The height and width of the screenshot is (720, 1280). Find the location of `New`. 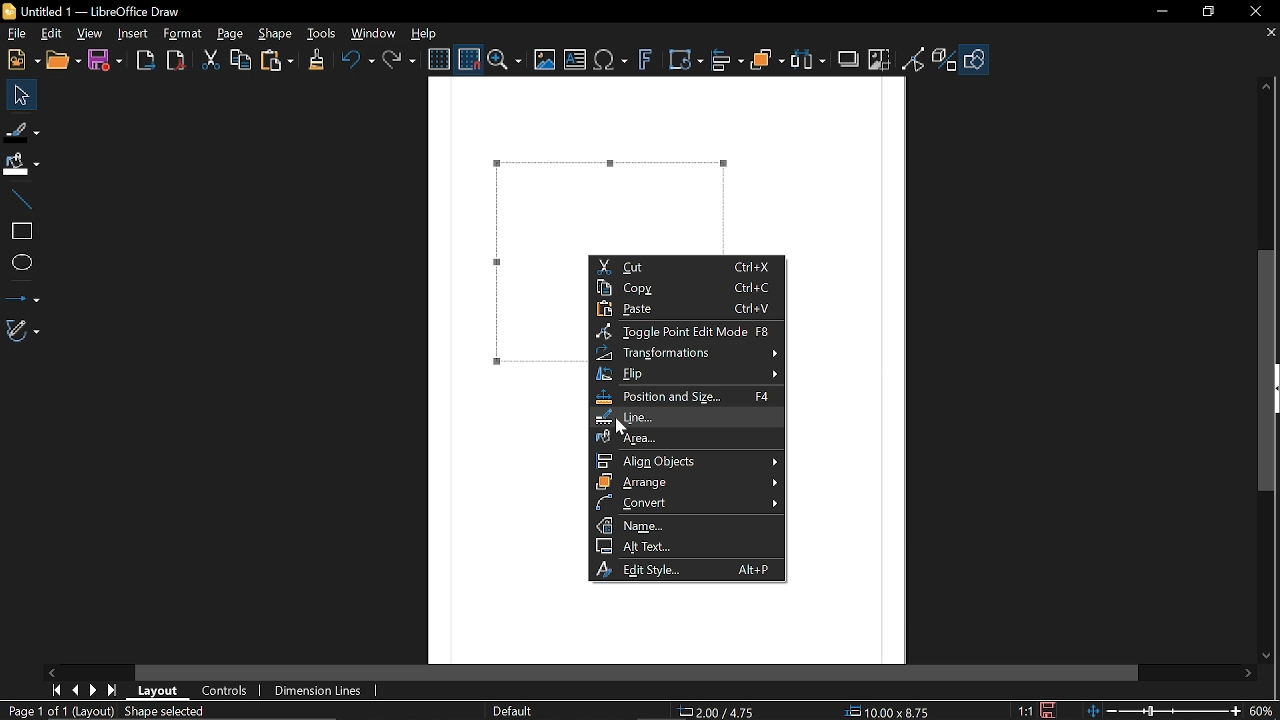

New is located at coordinates (21, 61).